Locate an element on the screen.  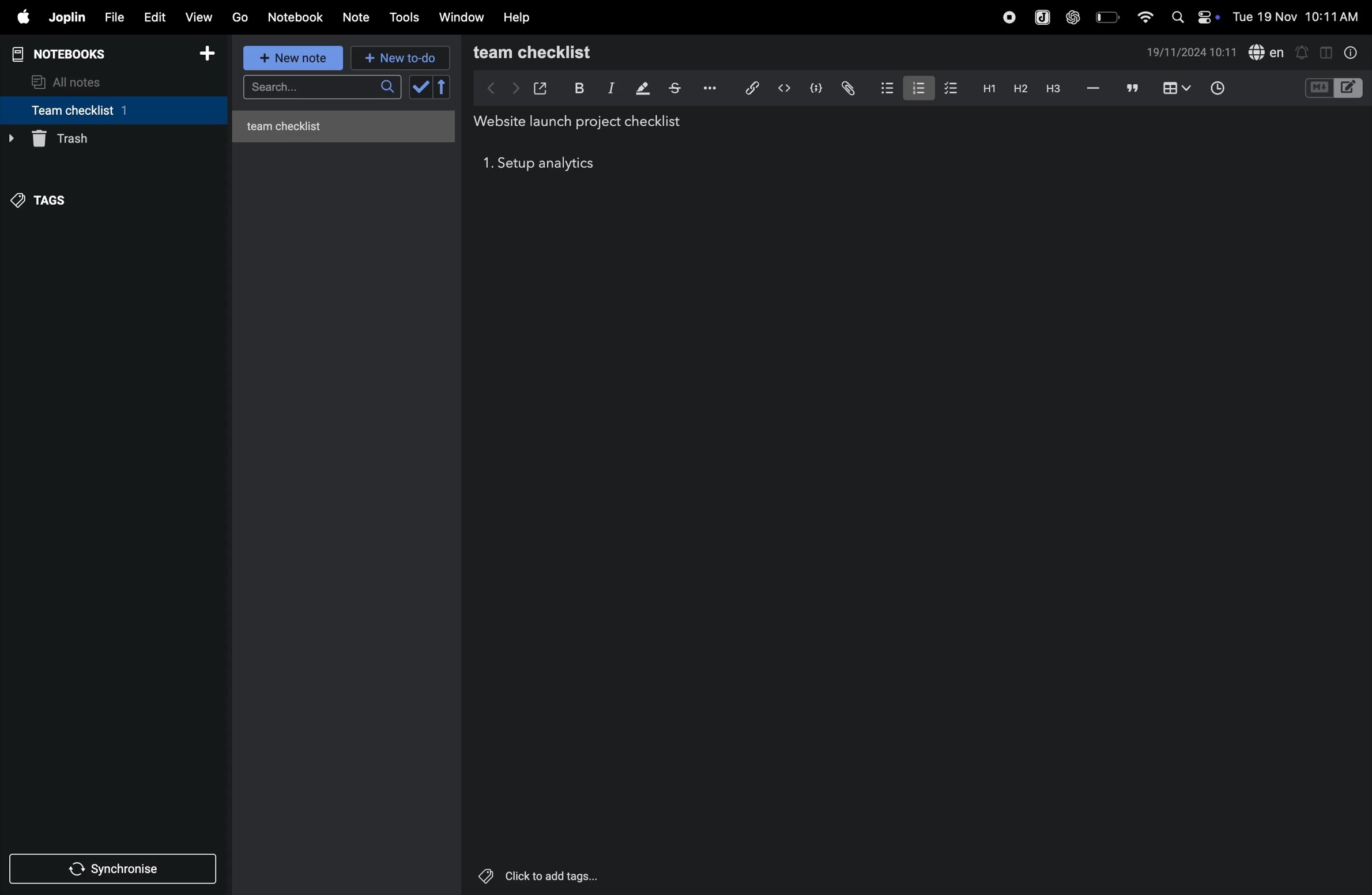
check is located at coordinates (431, 88).